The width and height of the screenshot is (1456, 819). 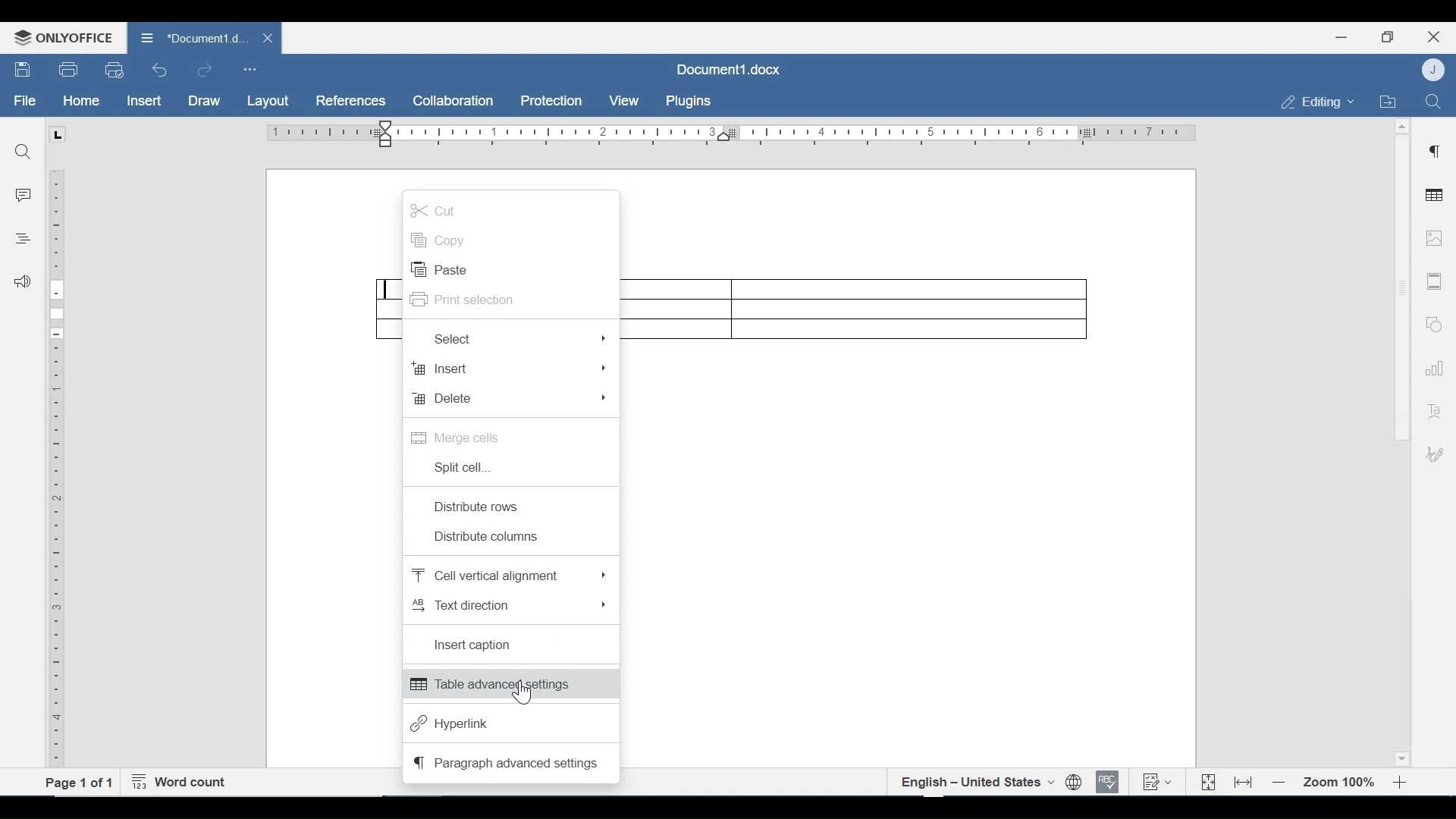 I want to click on Paragraph Settings, so click(x=1435, y=149).